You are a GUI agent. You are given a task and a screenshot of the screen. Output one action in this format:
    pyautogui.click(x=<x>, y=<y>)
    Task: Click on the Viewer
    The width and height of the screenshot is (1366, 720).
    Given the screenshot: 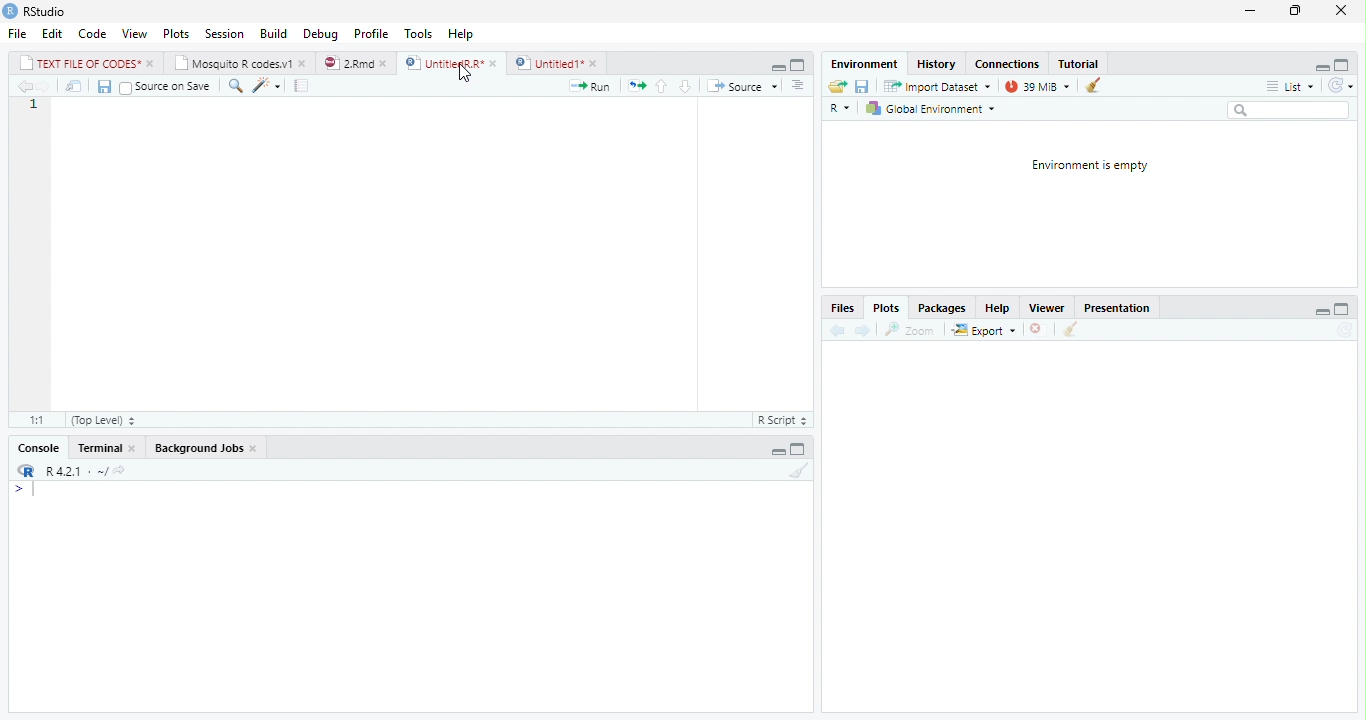 What is the action you would take?
    pyautogui.click(x=1049, y=307)
    